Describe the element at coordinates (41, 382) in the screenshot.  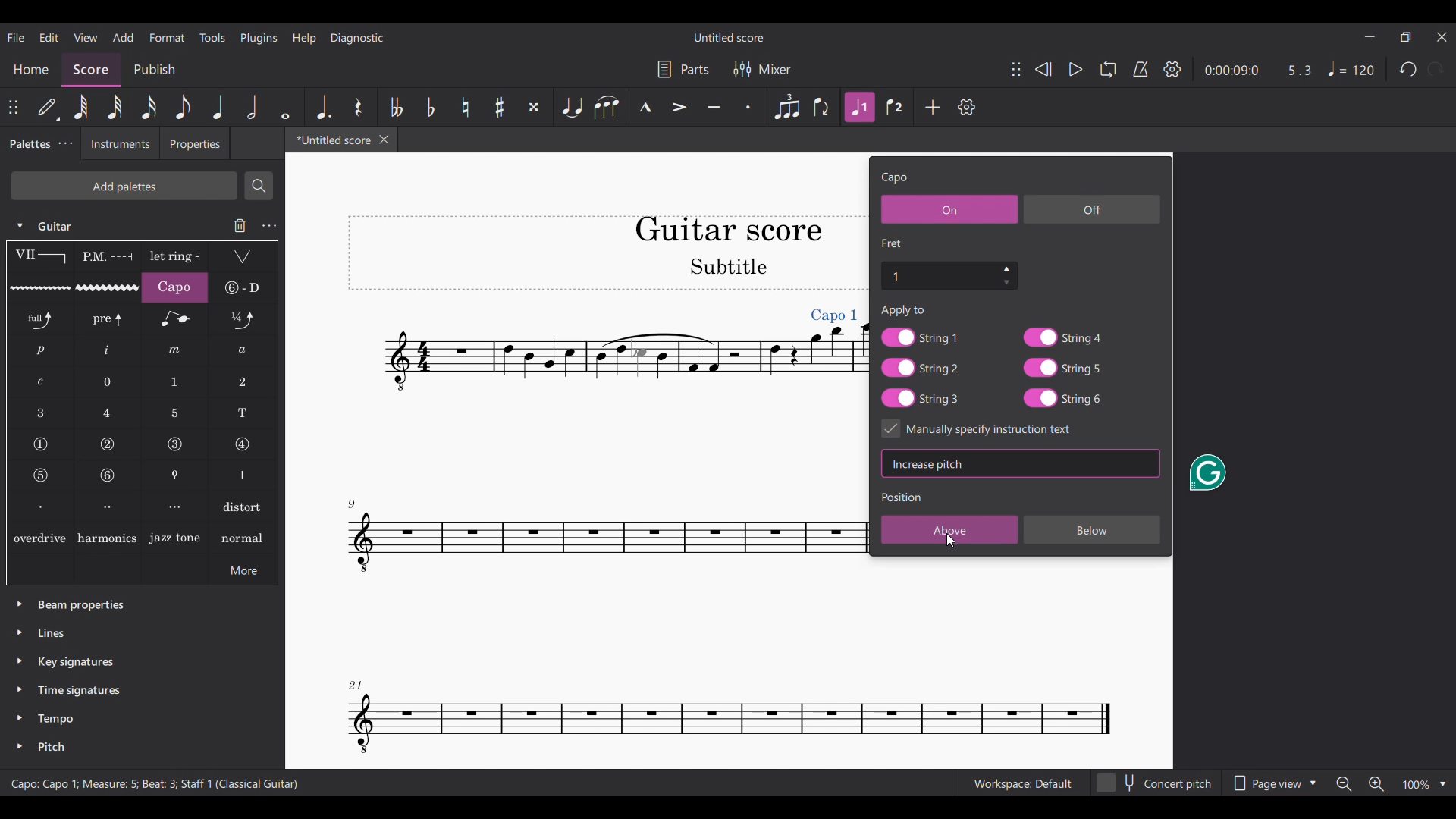
I see `RH guitar fingering c` at that location.